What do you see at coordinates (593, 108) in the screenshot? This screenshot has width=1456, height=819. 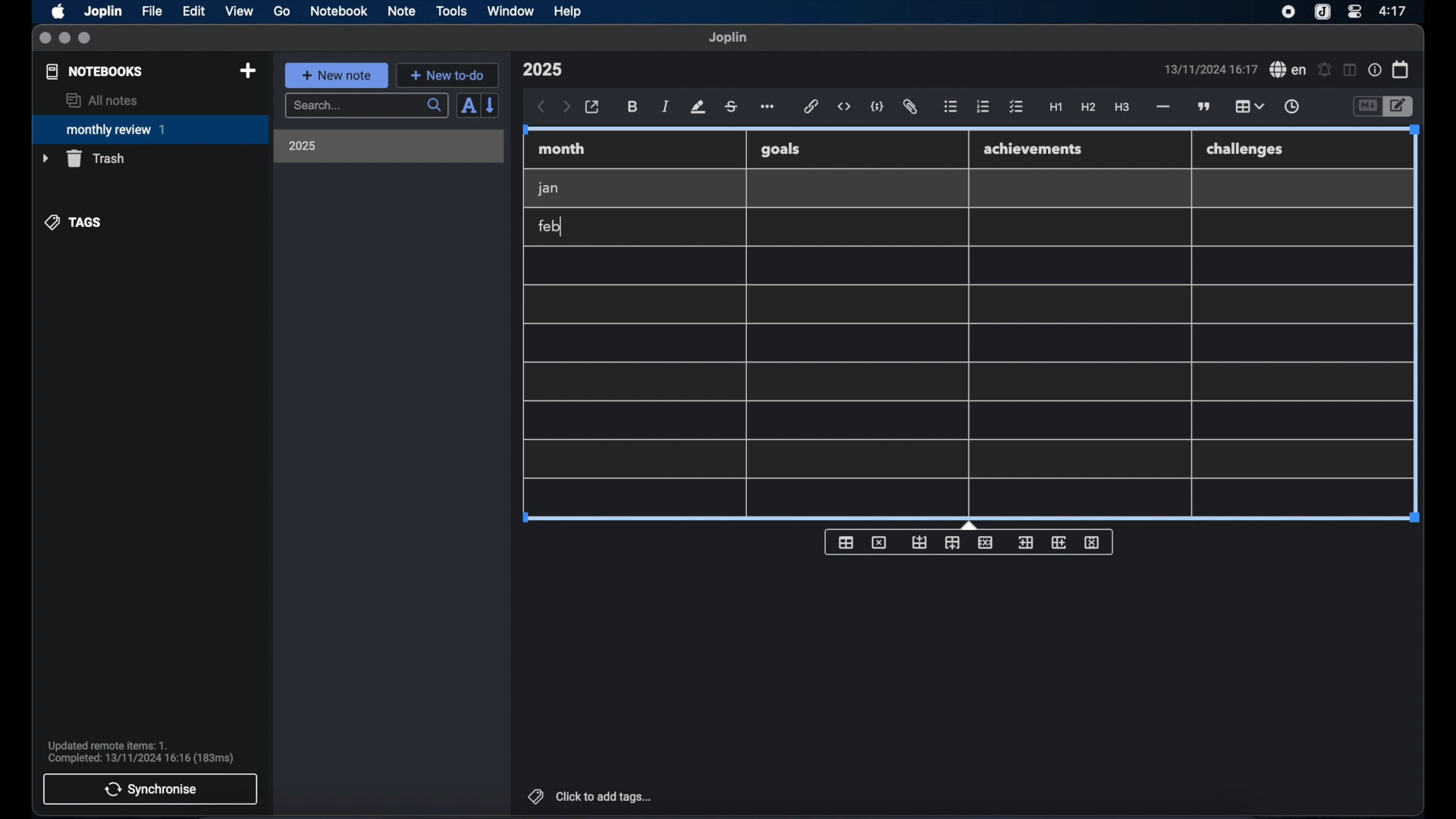 I see `open in external editor` at bounding box center [593, 108].